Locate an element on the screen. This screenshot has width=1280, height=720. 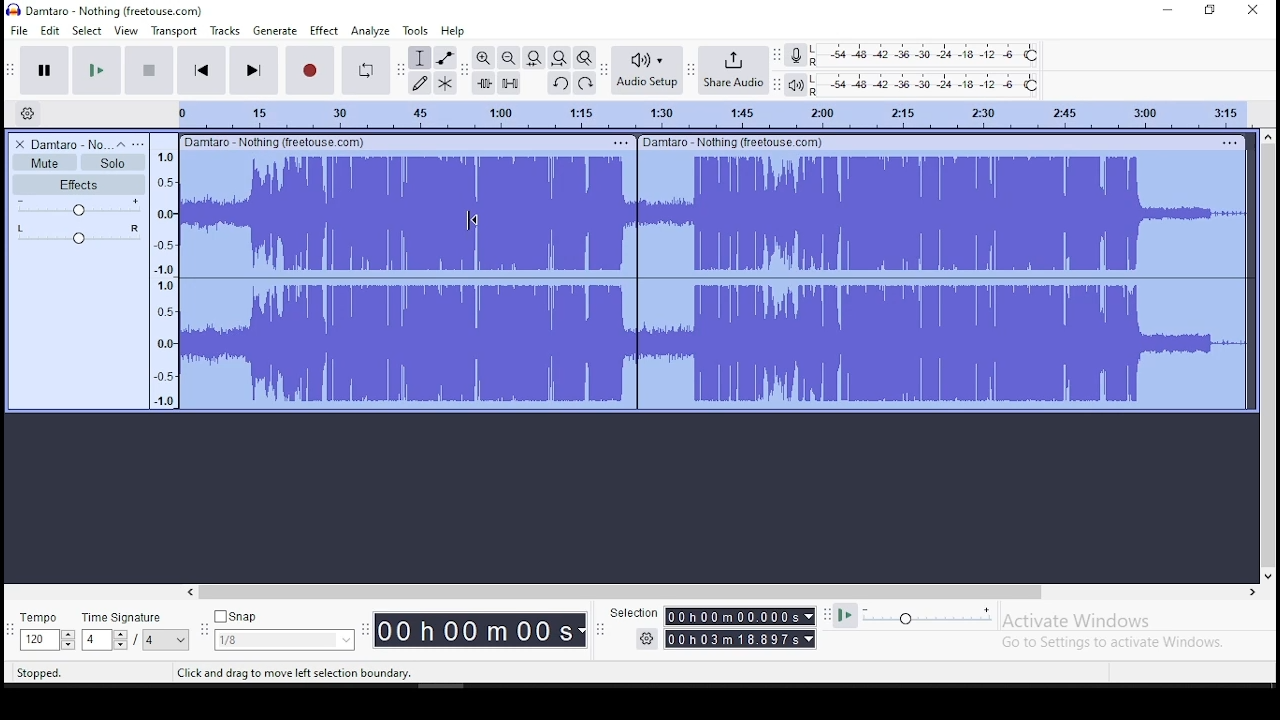
skip to start is located at coordinates (201, 69).